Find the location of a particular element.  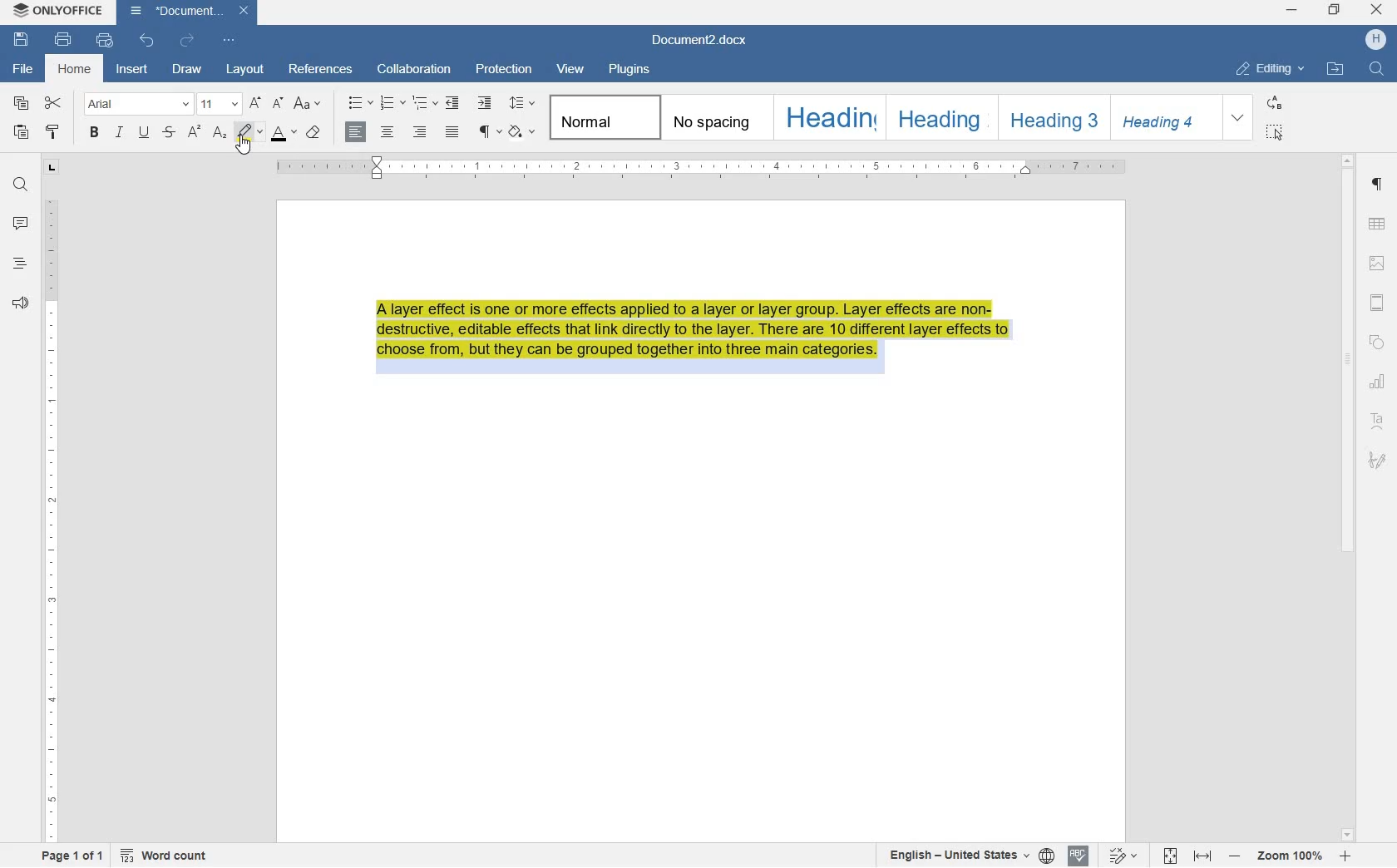

EXPAND FORMATTING STYLES is located at coordinates (1237, 116).